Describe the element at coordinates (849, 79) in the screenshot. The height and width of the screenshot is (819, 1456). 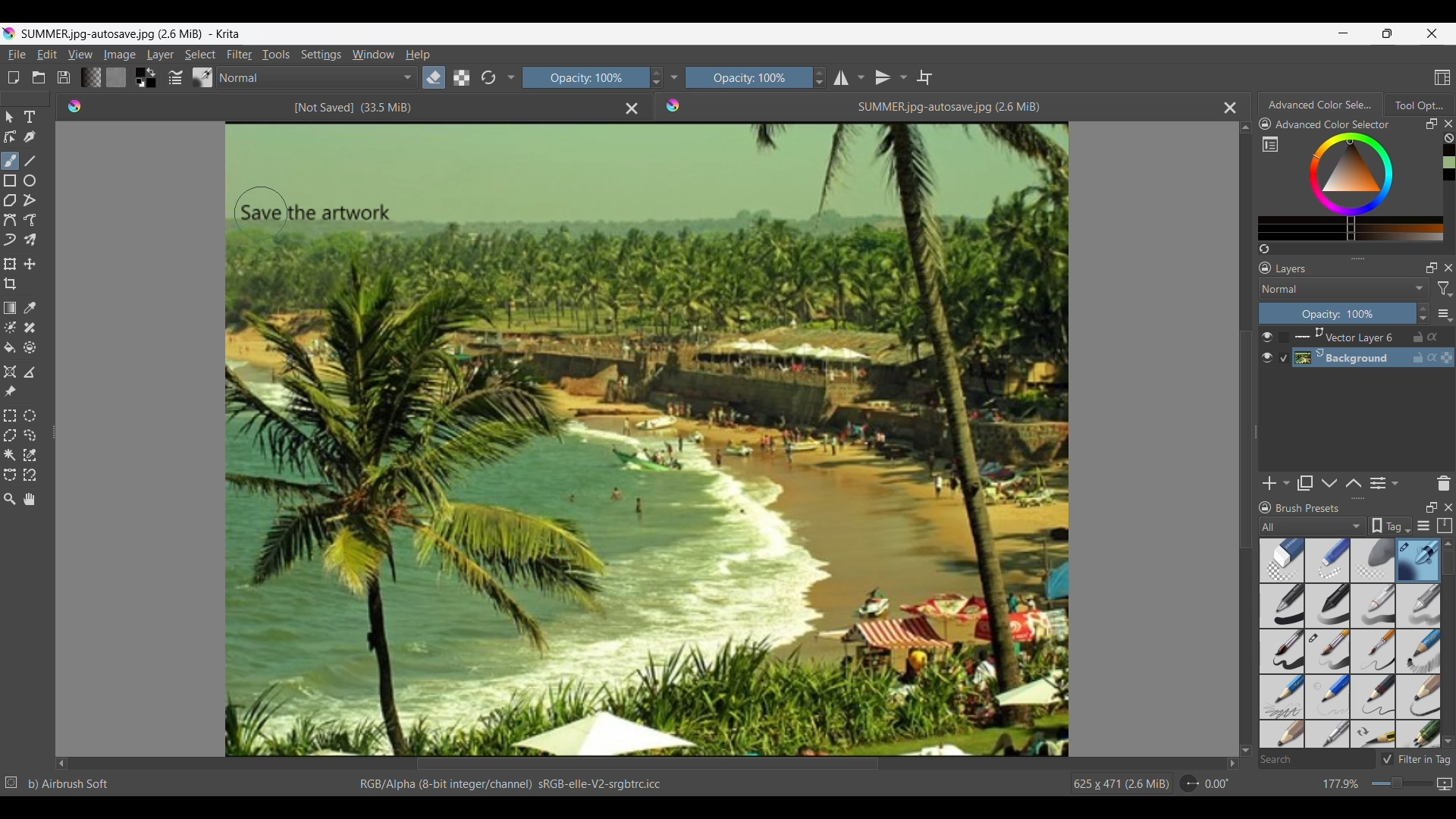
I see `Horizontal mirror tool options` at that location.